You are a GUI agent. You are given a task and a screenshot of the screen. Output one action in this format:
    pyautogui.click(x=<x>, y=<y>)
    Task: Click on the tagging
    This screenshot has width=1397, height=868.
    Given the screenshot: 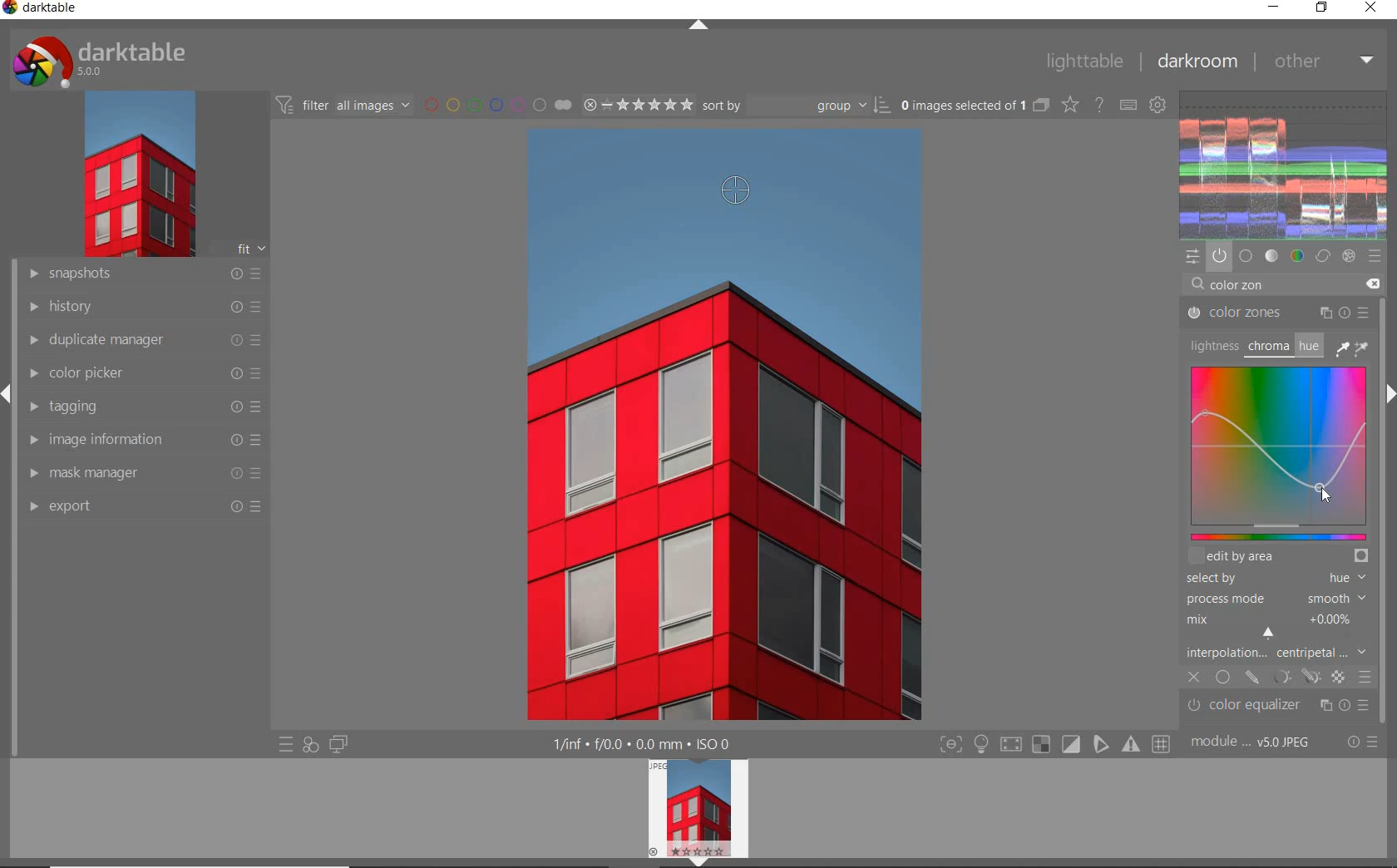 What is the action you would take?
    pyautogui.click(x=141, y=407)
    